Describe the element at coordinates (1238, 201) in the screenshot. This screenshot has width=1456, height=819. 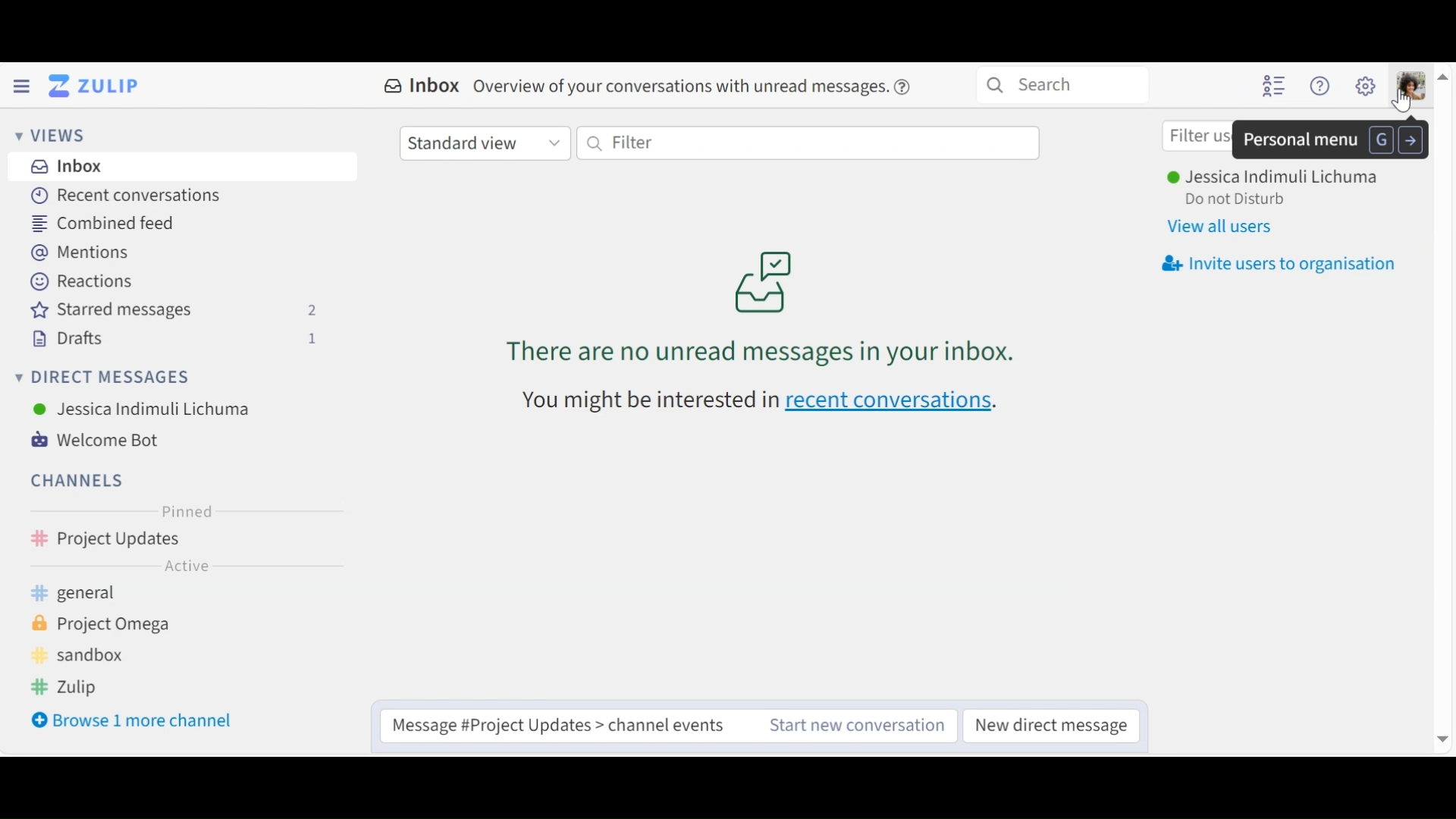
I see `Do not disturb` at that location.